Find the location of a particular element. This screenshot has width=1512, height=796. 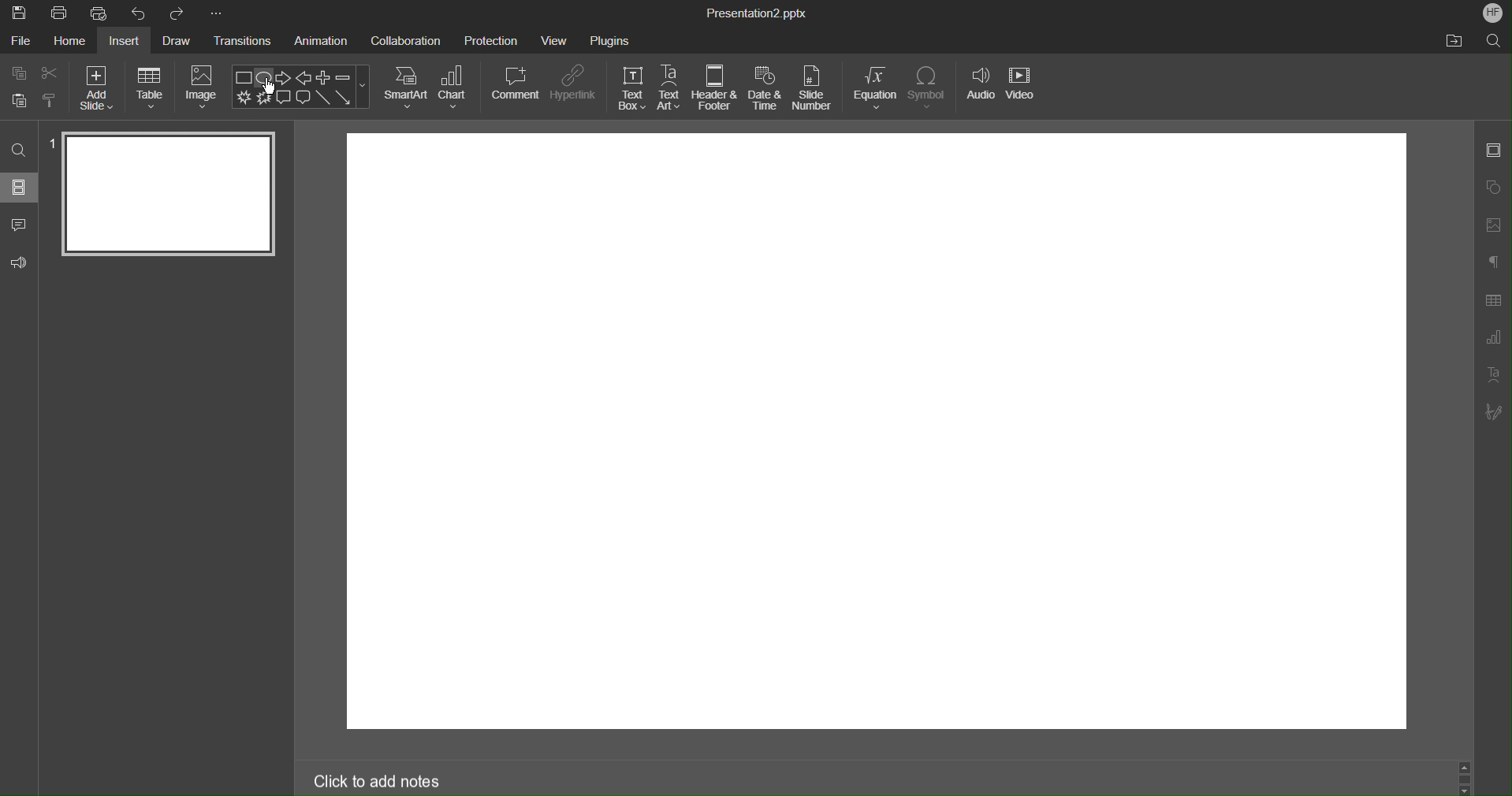

Comment is located at coordinates (20, 221).